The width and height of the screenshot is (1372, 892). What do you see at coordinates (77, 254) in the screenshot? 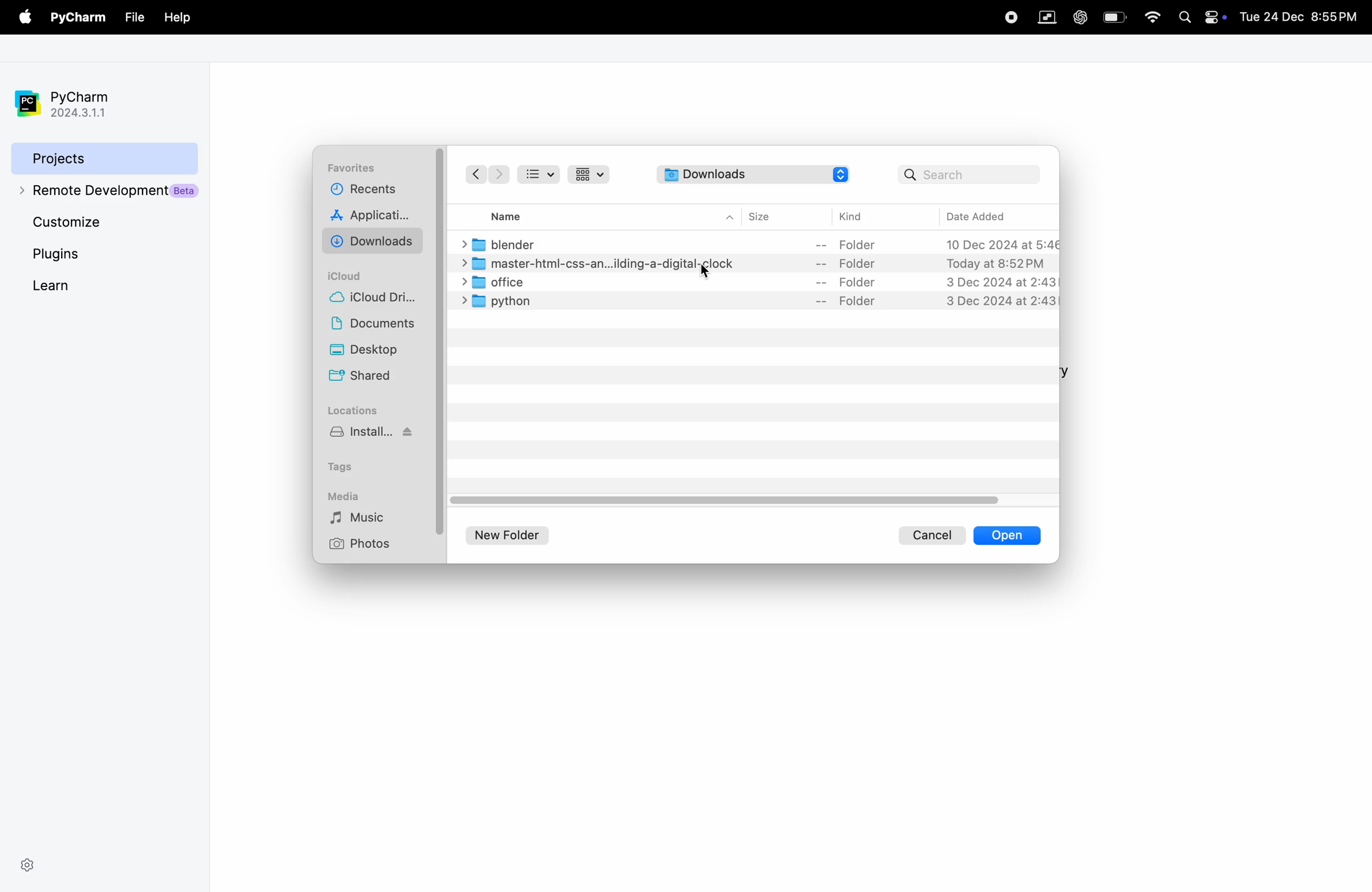
I see `plugins` at bounding box center [77, 254].